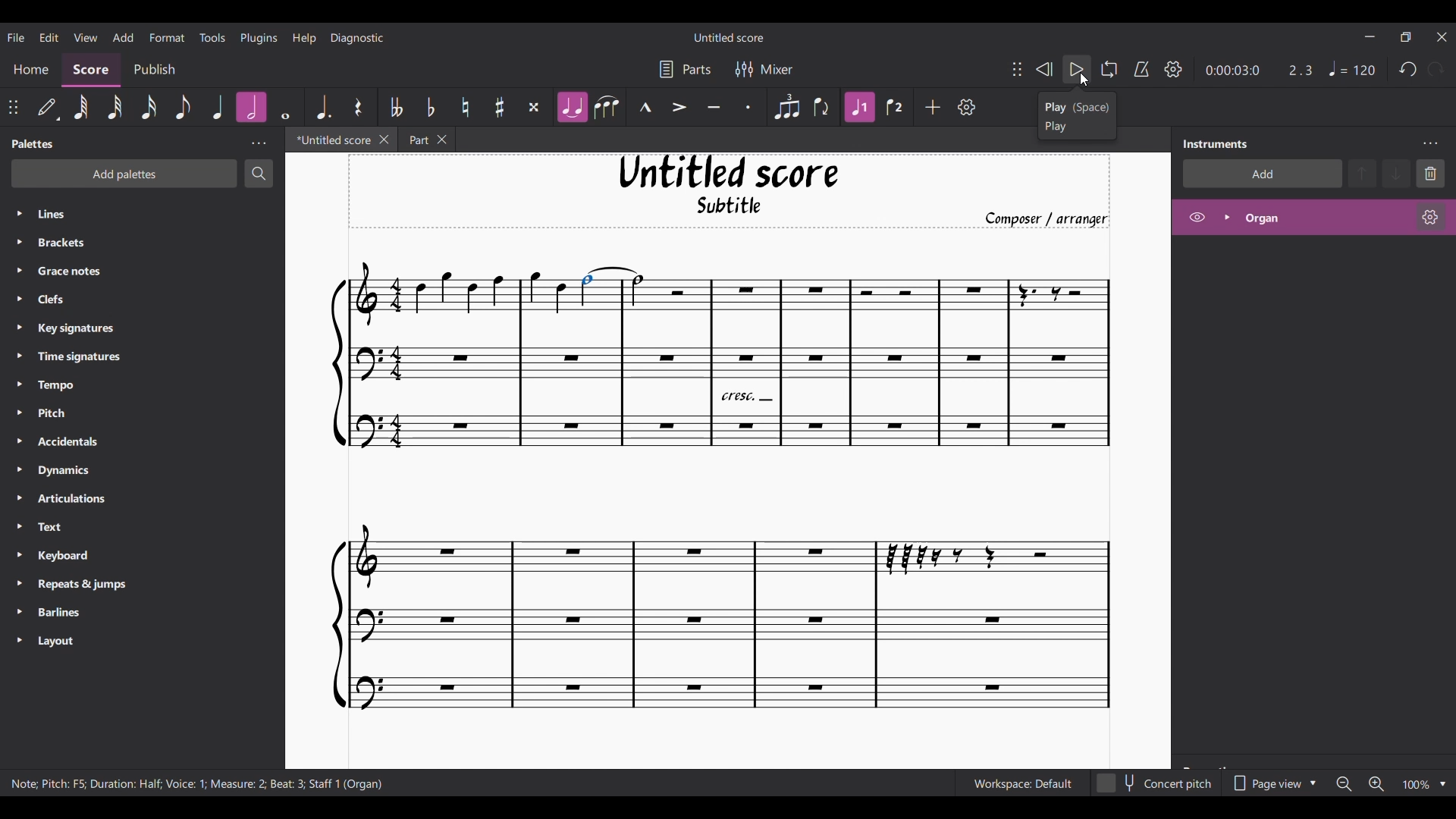 The height and width of the screenshot is (819, 1456). Describe the element at coordinates (500, 107) in the screenshot. I see `Toggle sharp` at that location.